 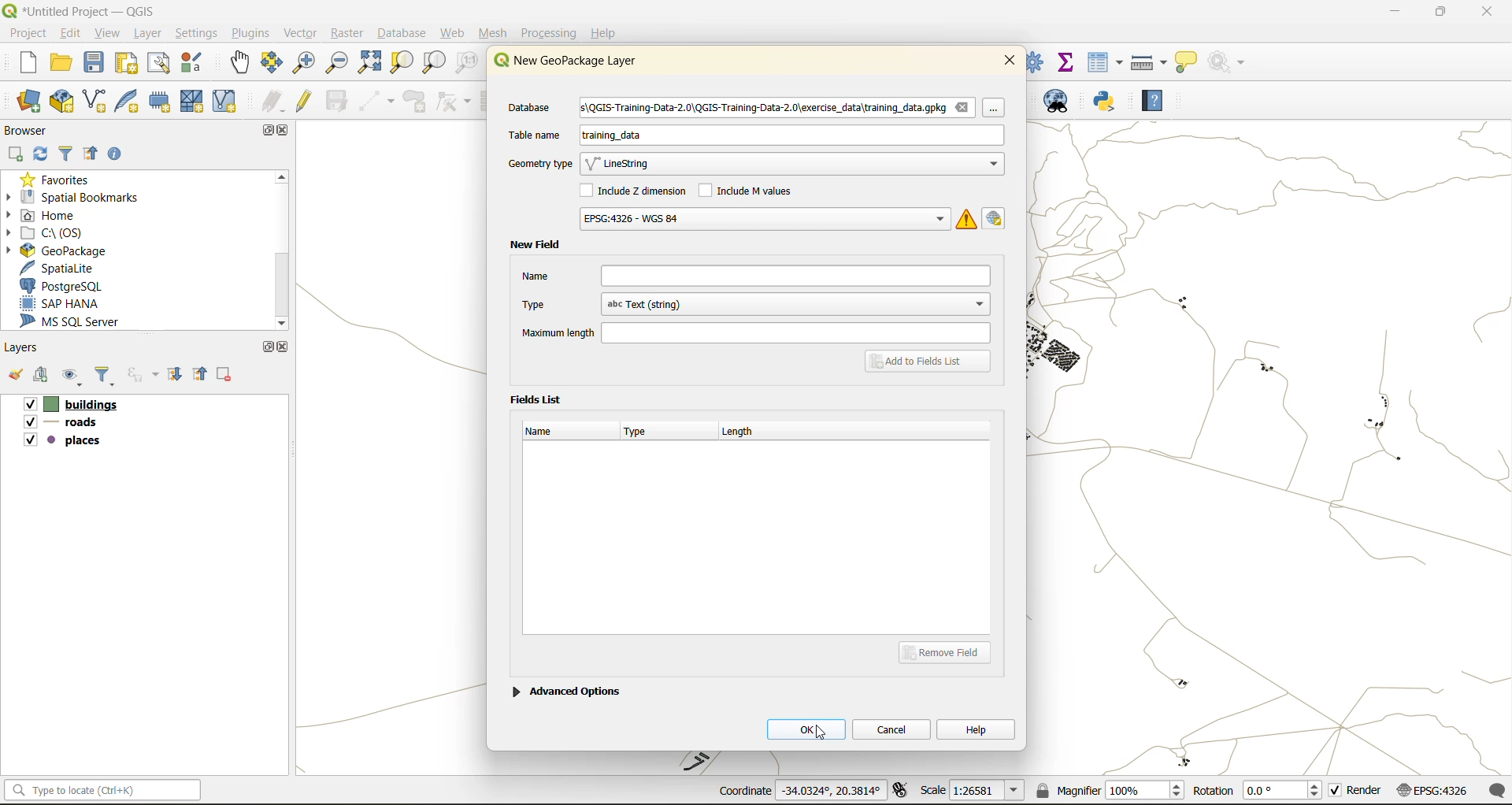 What do you see at coordinates (265, 130) in the screenshot?
I see `maximize` at bounding box center [265, 130].